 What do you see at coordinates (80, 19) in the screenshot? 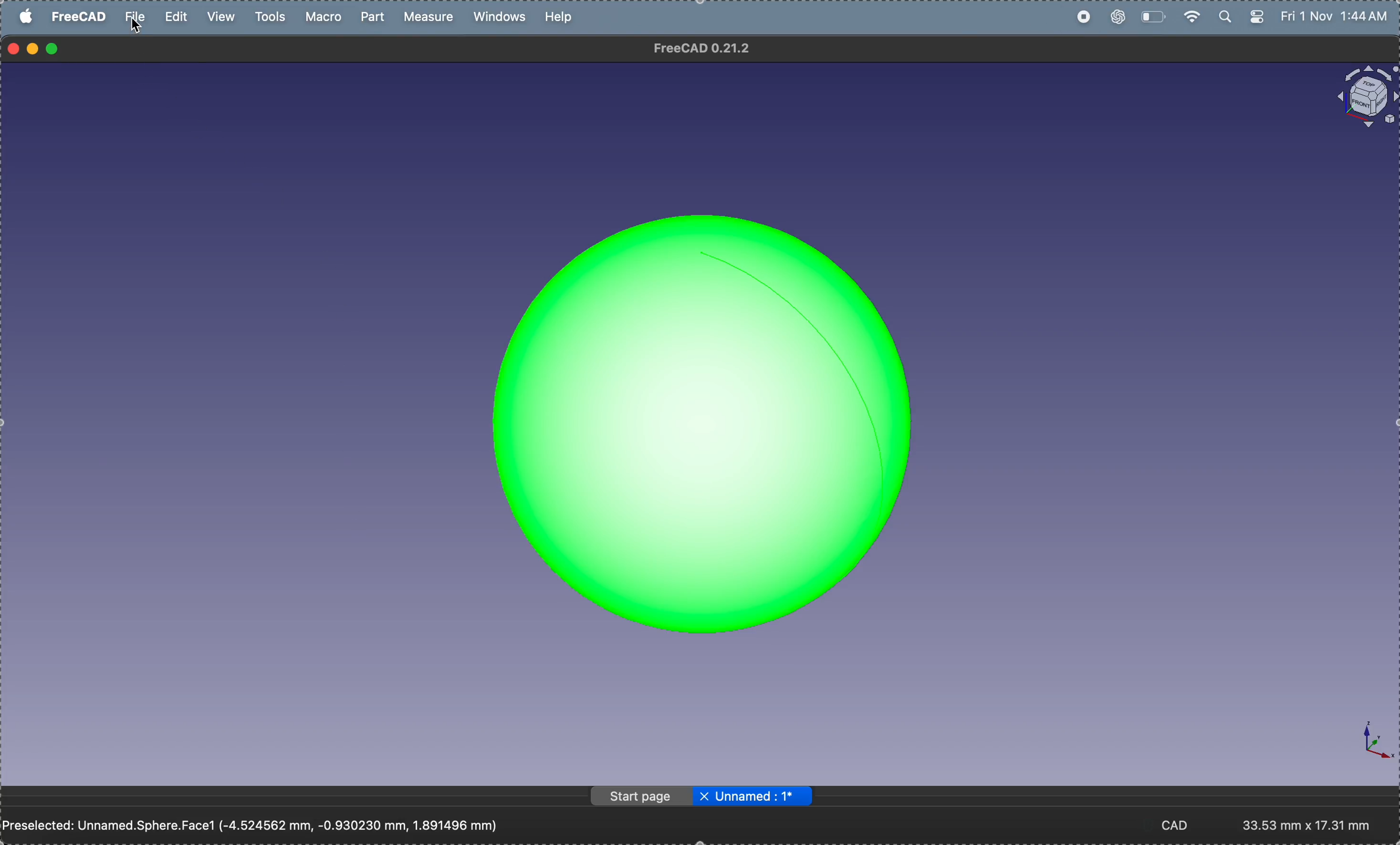
I see `free cad` at bounding box center [80, 19].